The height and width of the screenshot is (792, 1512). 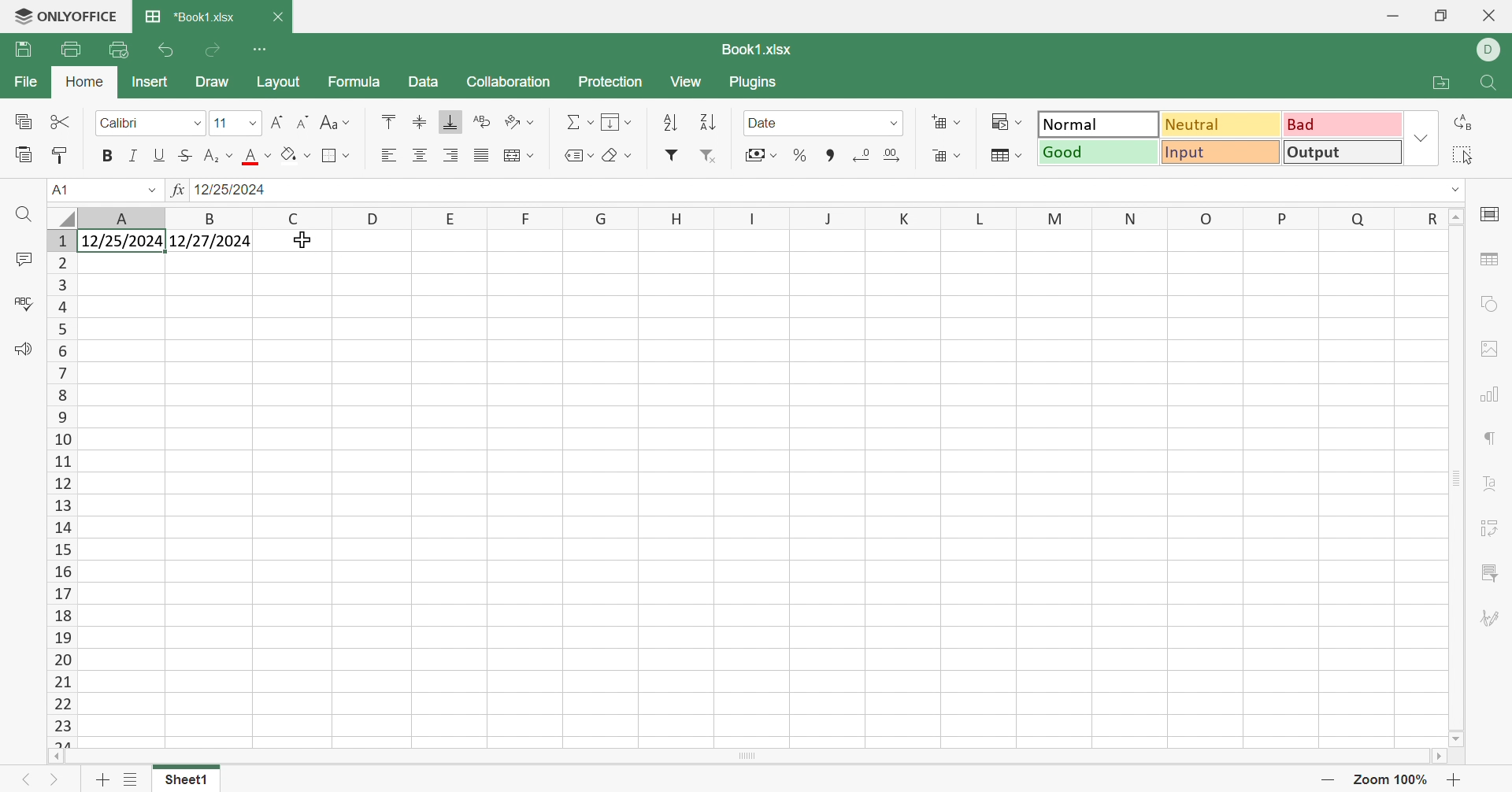 What do you see at coordinates (20, 779) in the screenshot?
I see `Previous` at bounding box center [20, 779].